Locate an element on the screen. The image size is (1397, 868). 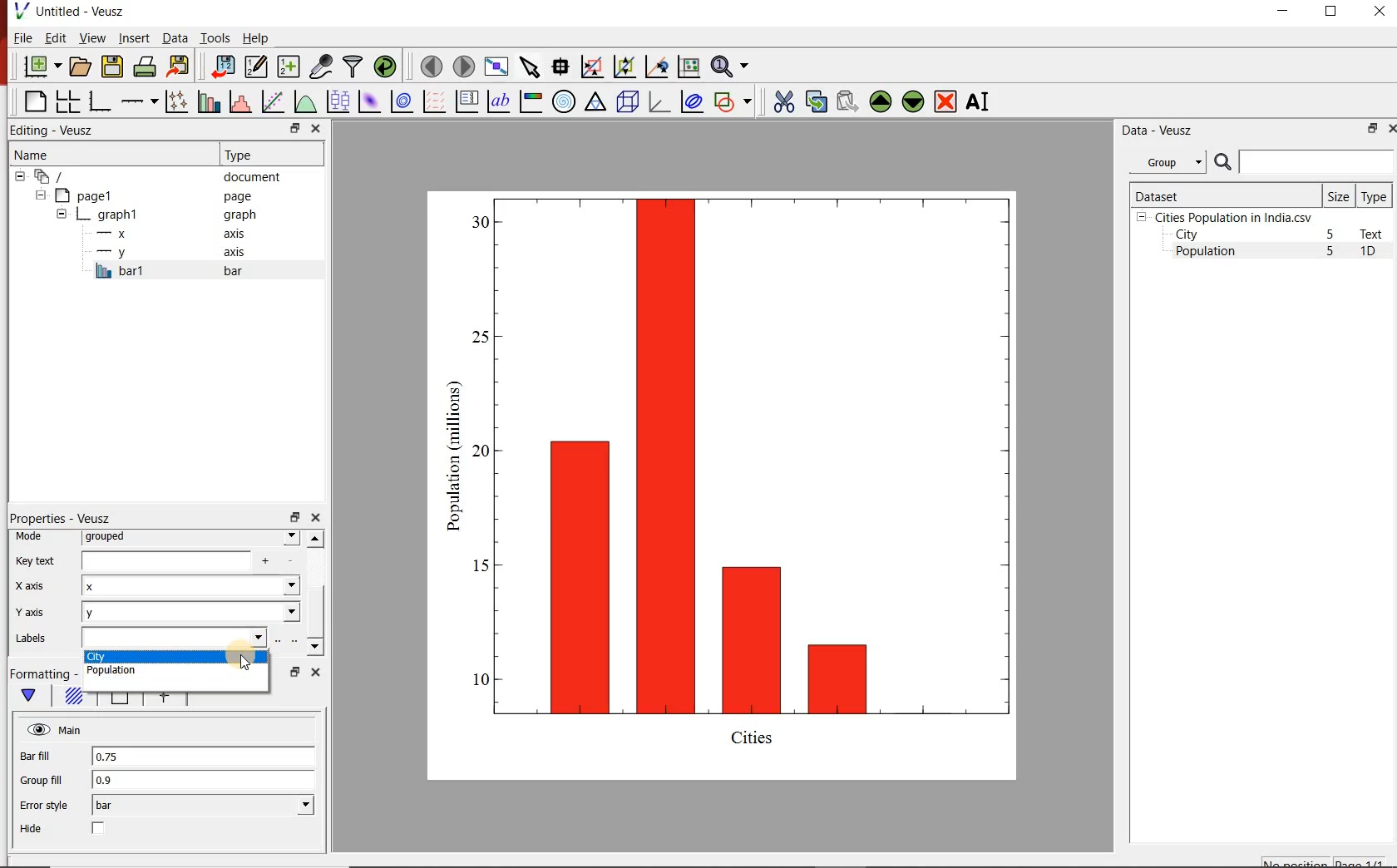
capture remote data is located at coordinates (319, 67).